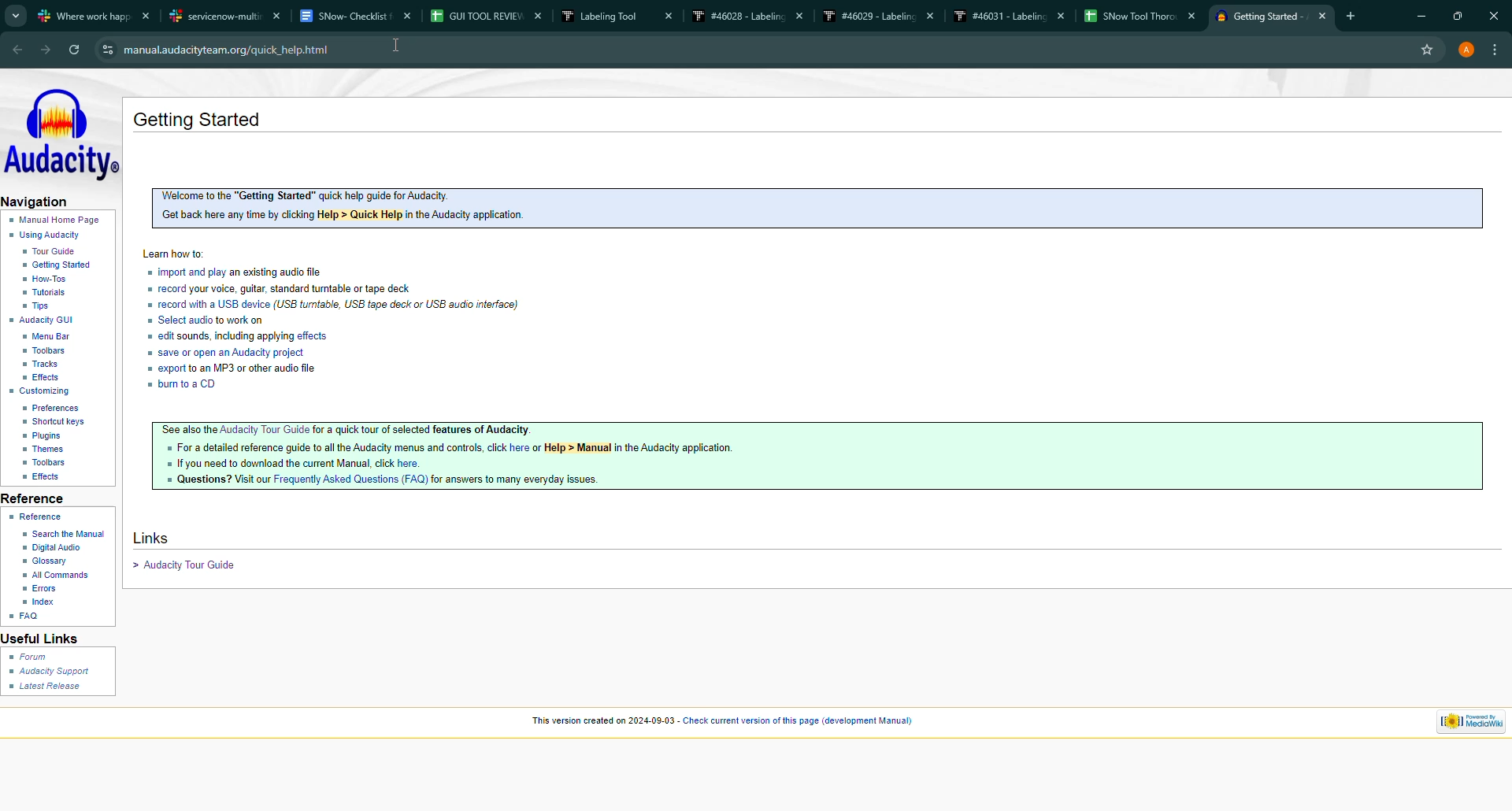 The width and height of the screenshot is (1512, 811). Describe the element at coordinates (65, 576) in the screenshot. I see `all` at that location.